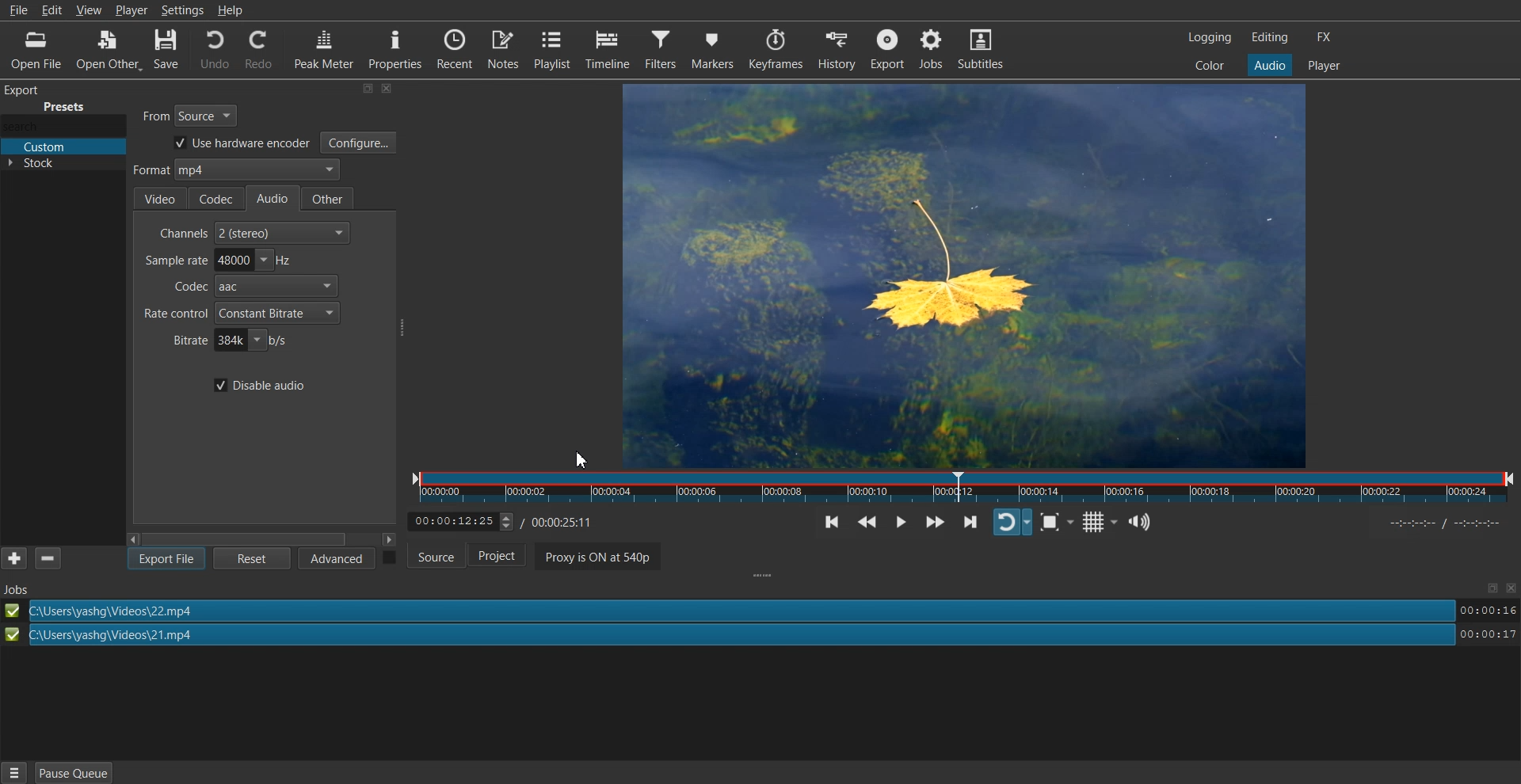 This screenshot has width=1521, height=784. Describe the element at coordinates (25, 88) in the screenshot. I see `` at that location.